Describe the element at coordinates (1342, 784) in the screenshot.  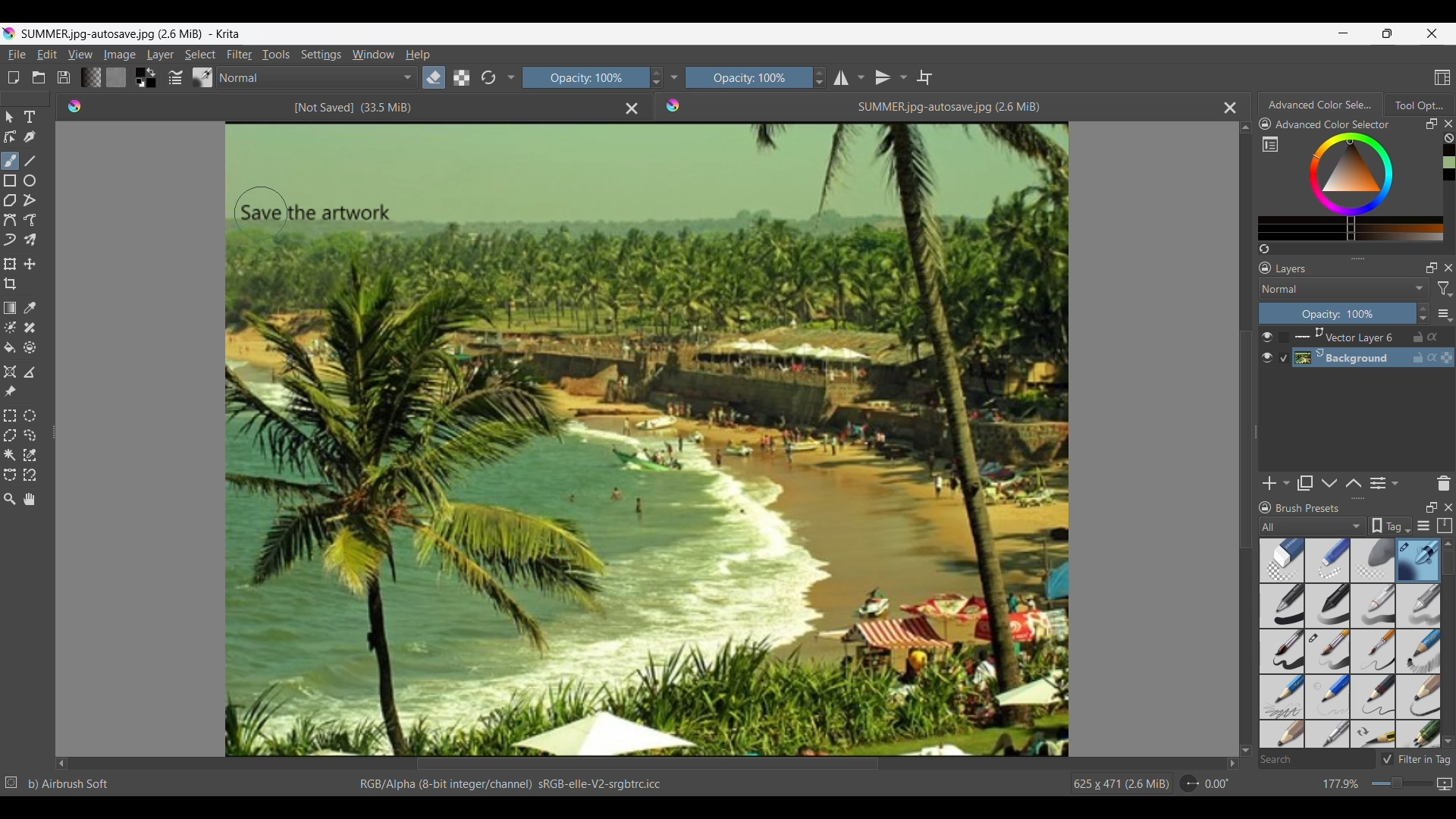
I see `177.9%` at that location.